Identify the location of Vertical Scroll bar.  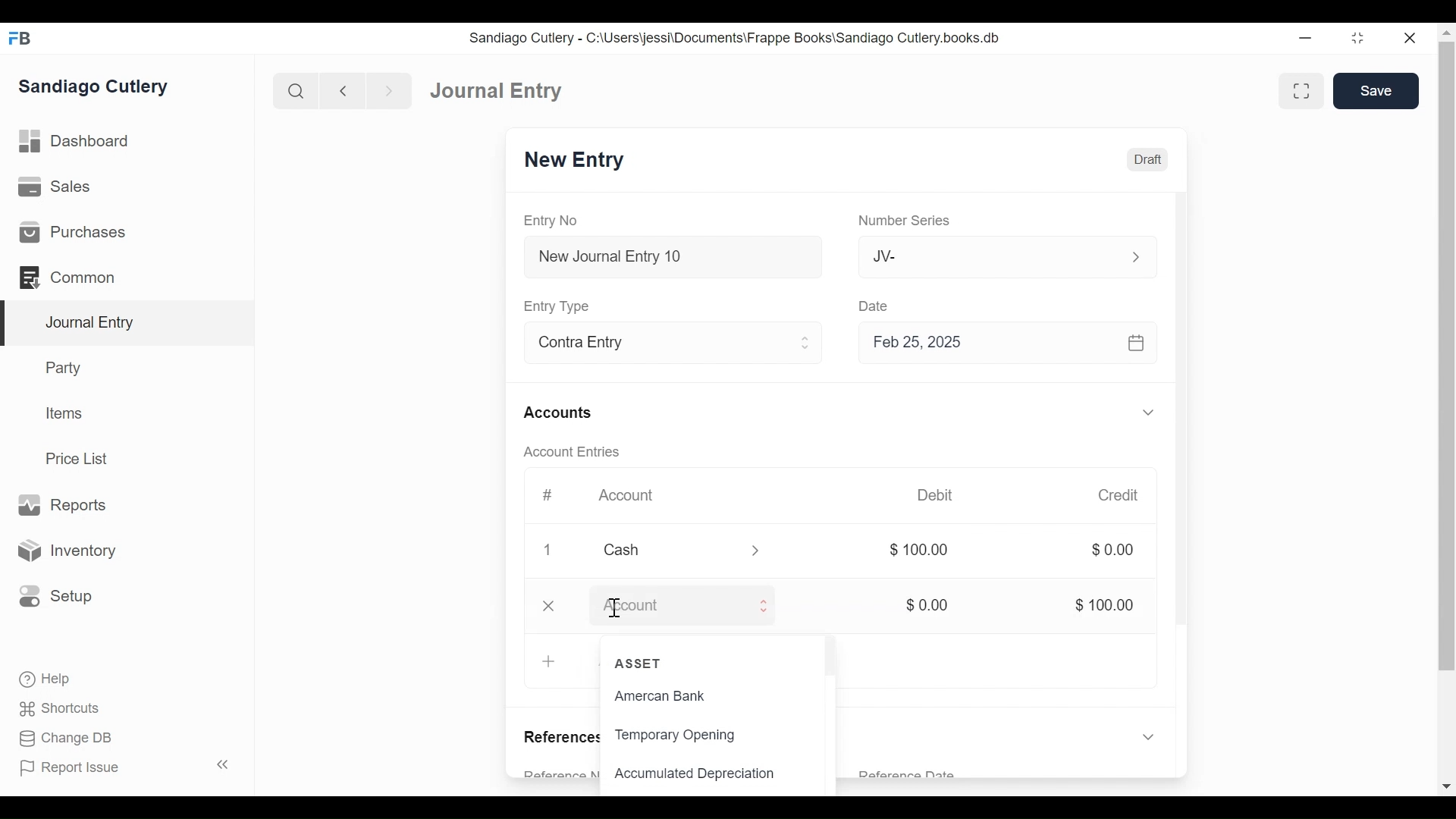
(1185, 434).